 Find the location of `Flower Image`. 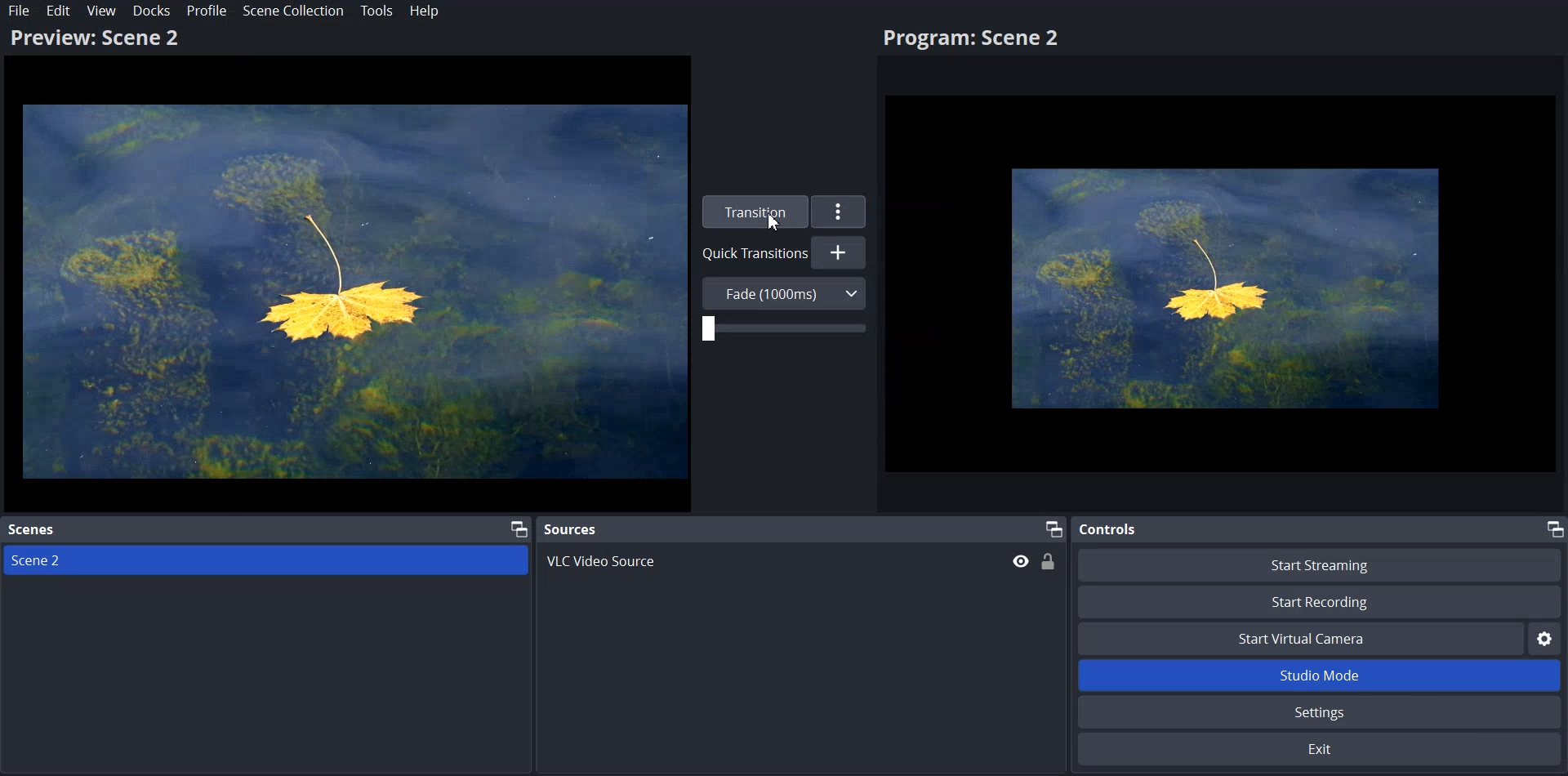

Flower Image is located at coordinates (1227, 286).